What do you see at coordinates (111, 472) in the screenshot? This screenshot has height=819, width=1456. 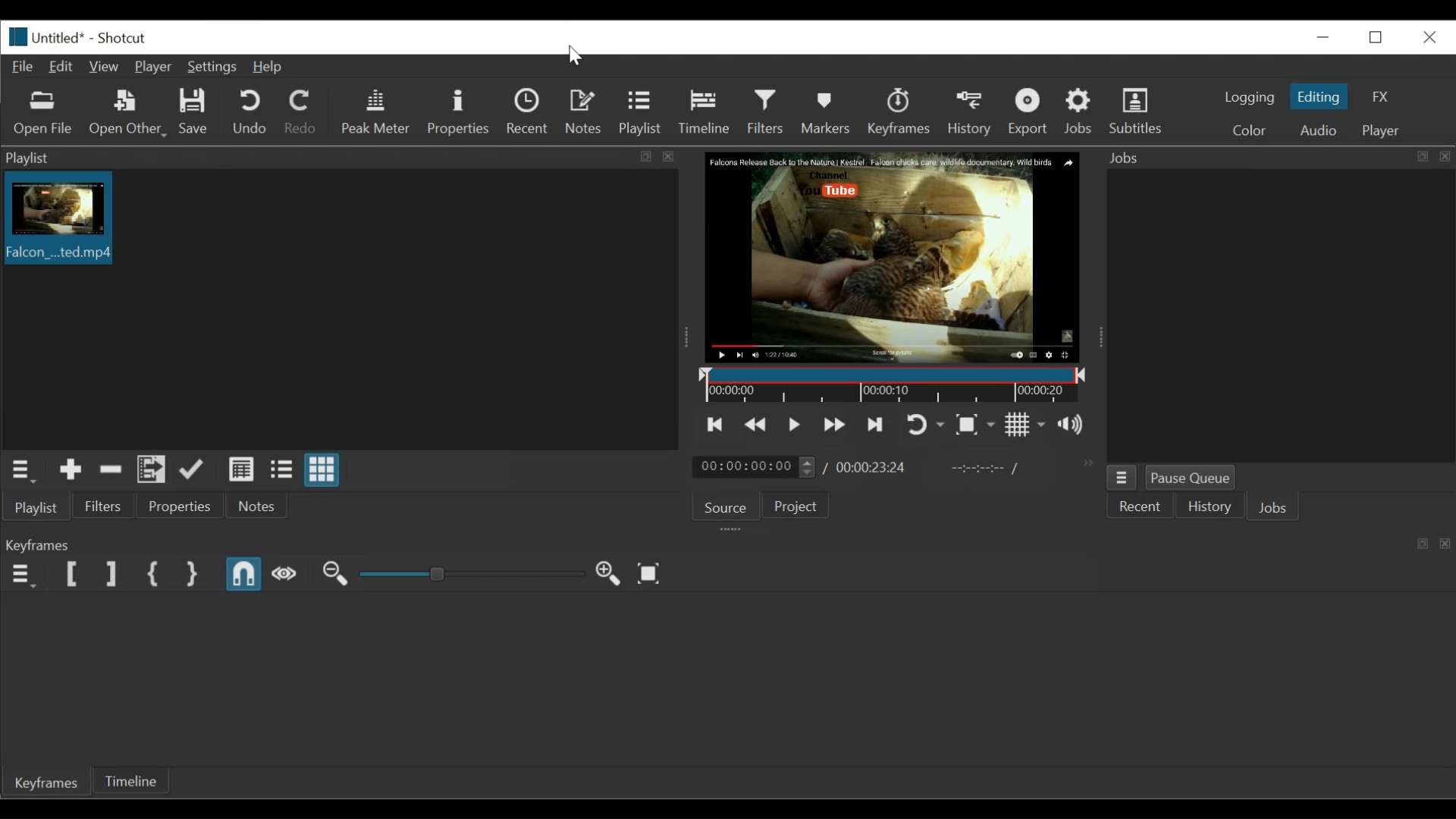 I see `Remove cut` at bounding box center [111, 472].